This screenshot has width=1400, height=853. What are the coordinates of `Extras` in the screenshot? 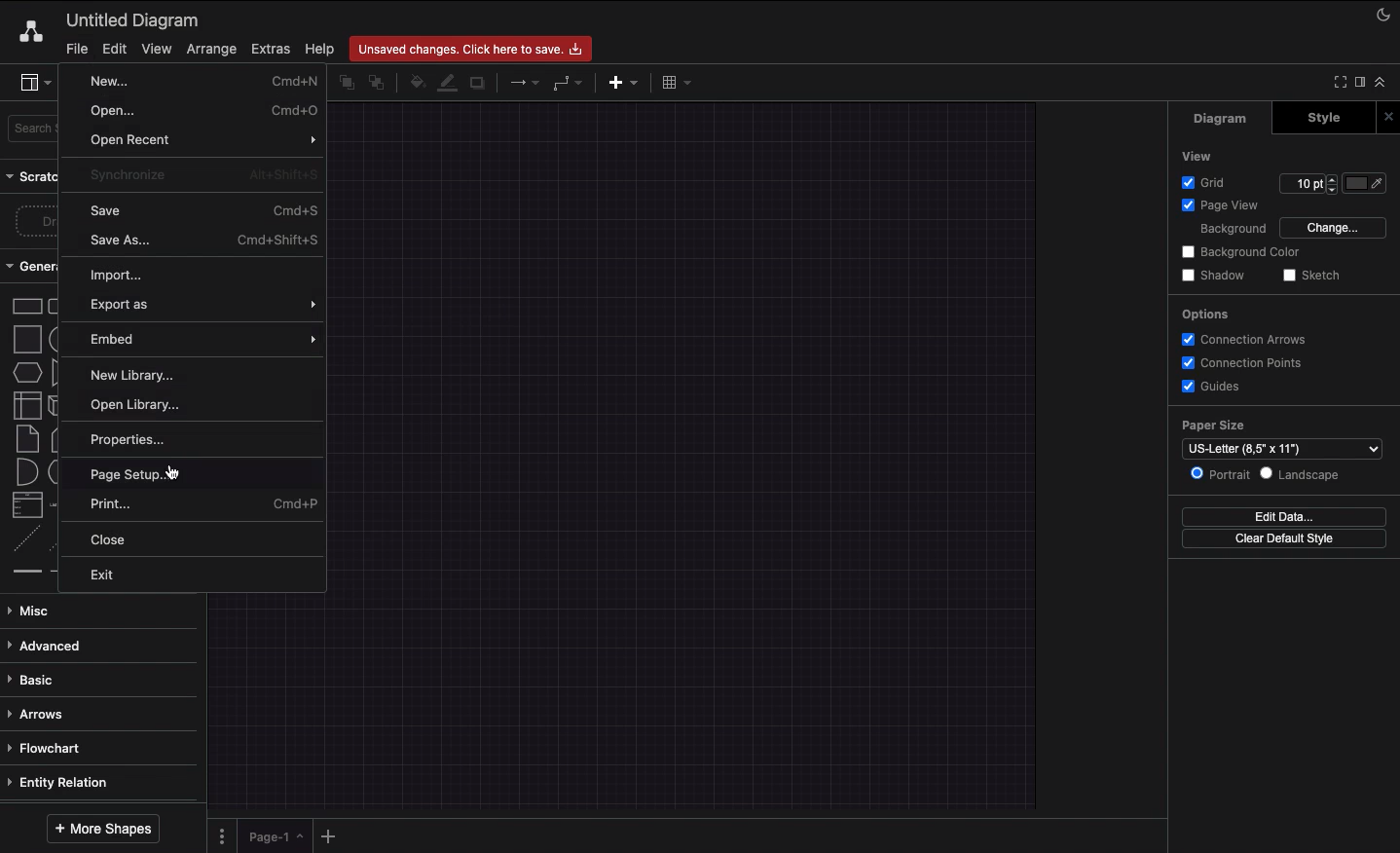 It's located at (271, 48).